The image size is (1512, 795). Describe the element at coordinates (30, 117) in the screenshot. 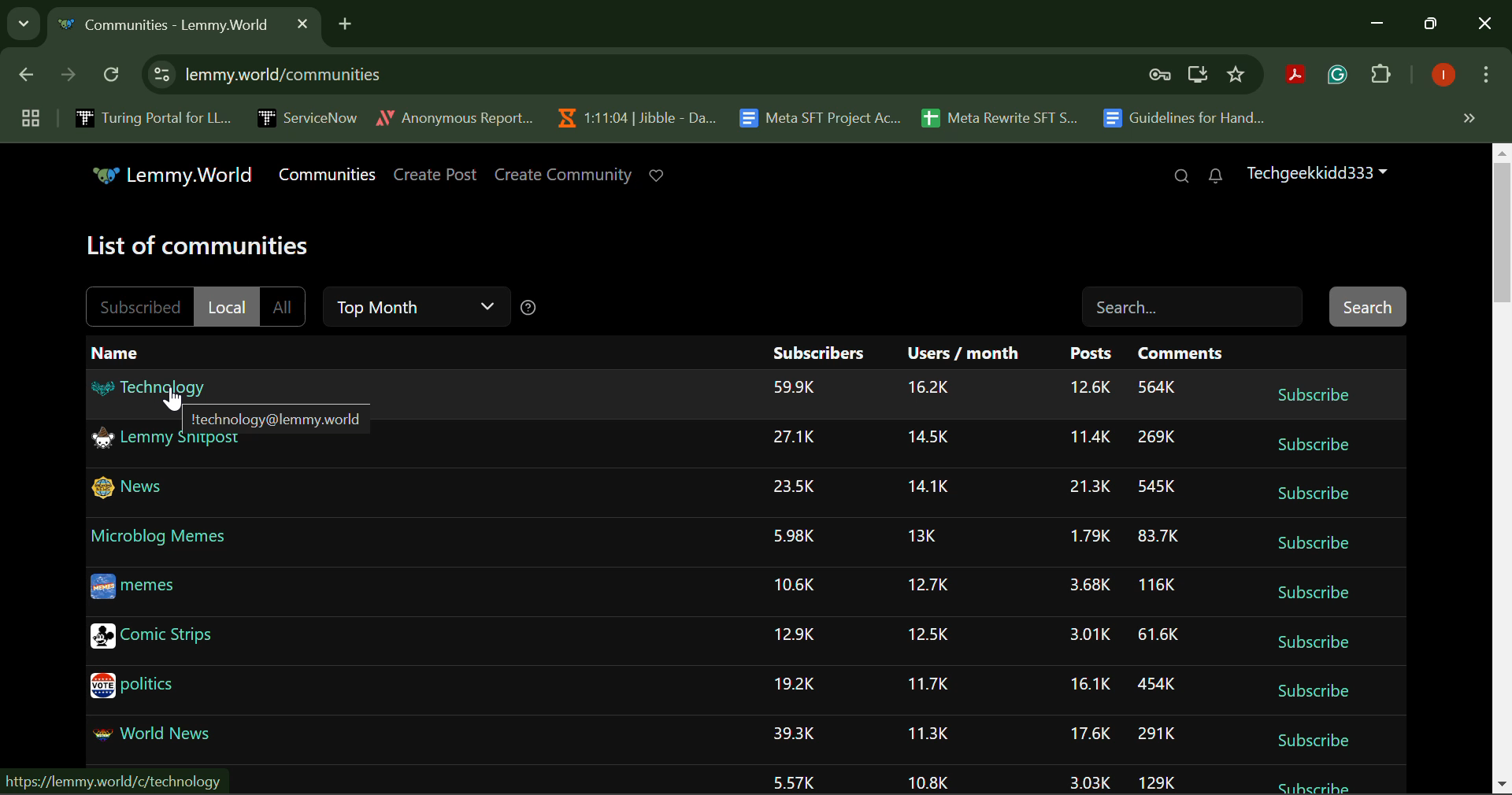

I see `Group Tabs` at that location.